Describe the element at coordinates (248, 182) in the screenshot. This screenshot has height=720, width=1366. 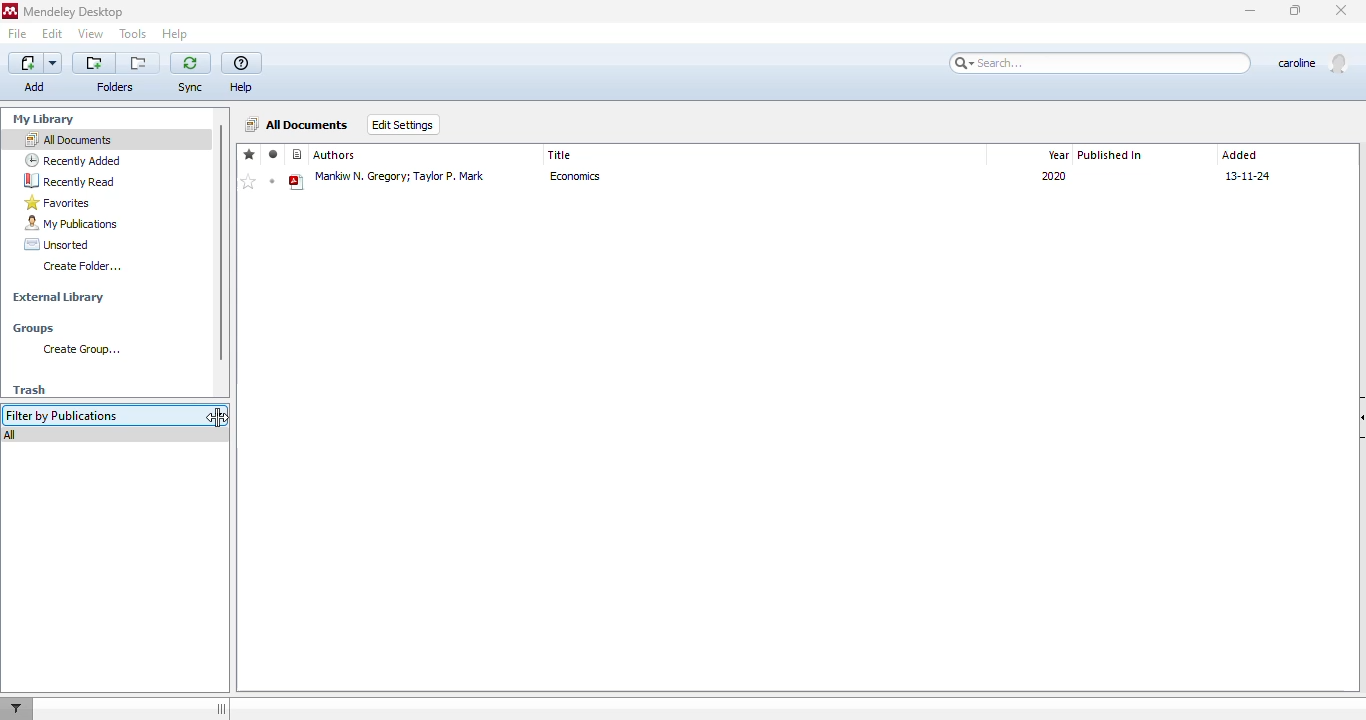
I see `add to favorites` at that location.